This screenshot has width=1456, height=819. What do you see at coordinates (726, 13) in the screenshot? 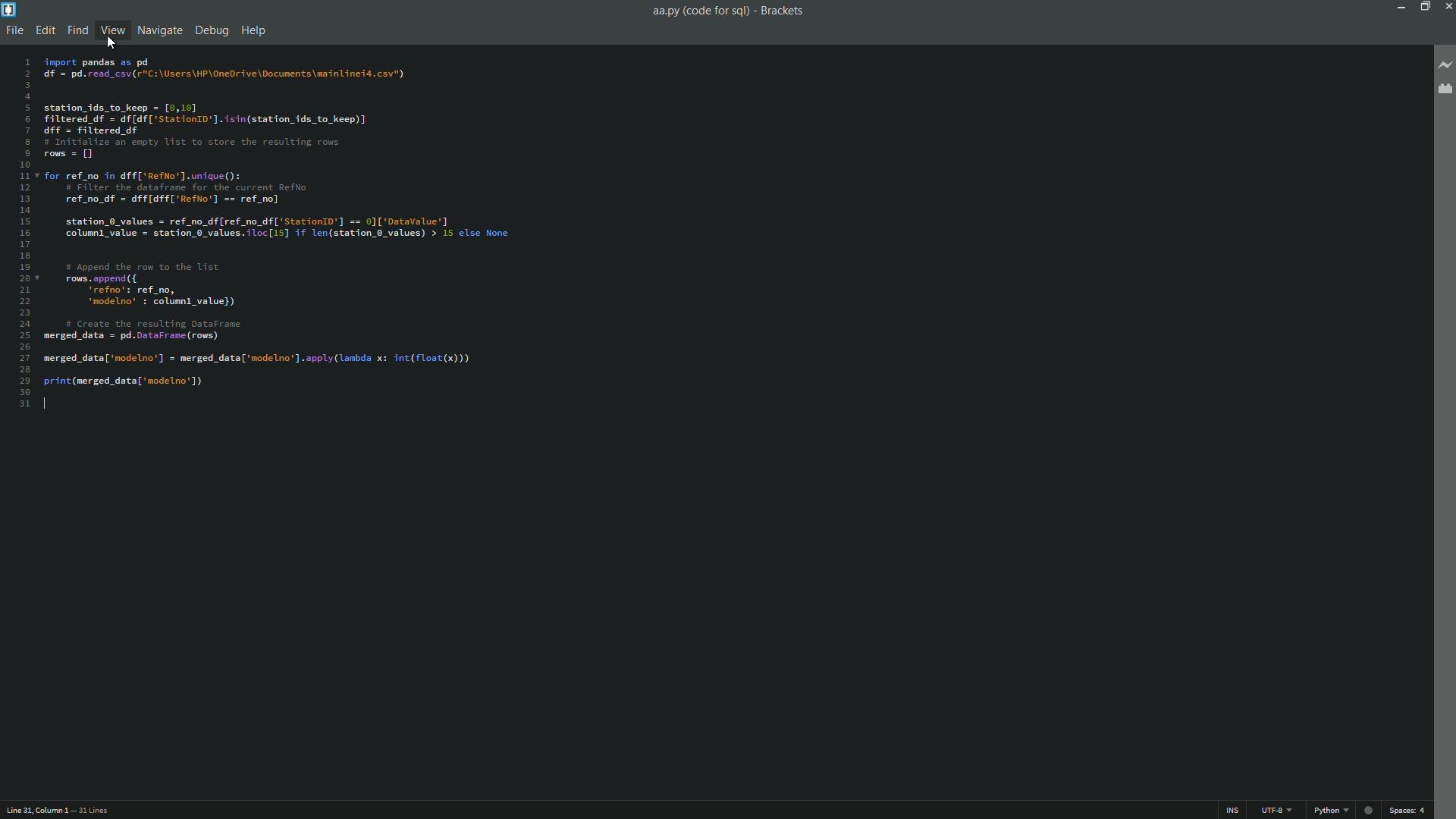
I see `aa.py (code for sql) - Brackets` at bounding box center [726, 13].